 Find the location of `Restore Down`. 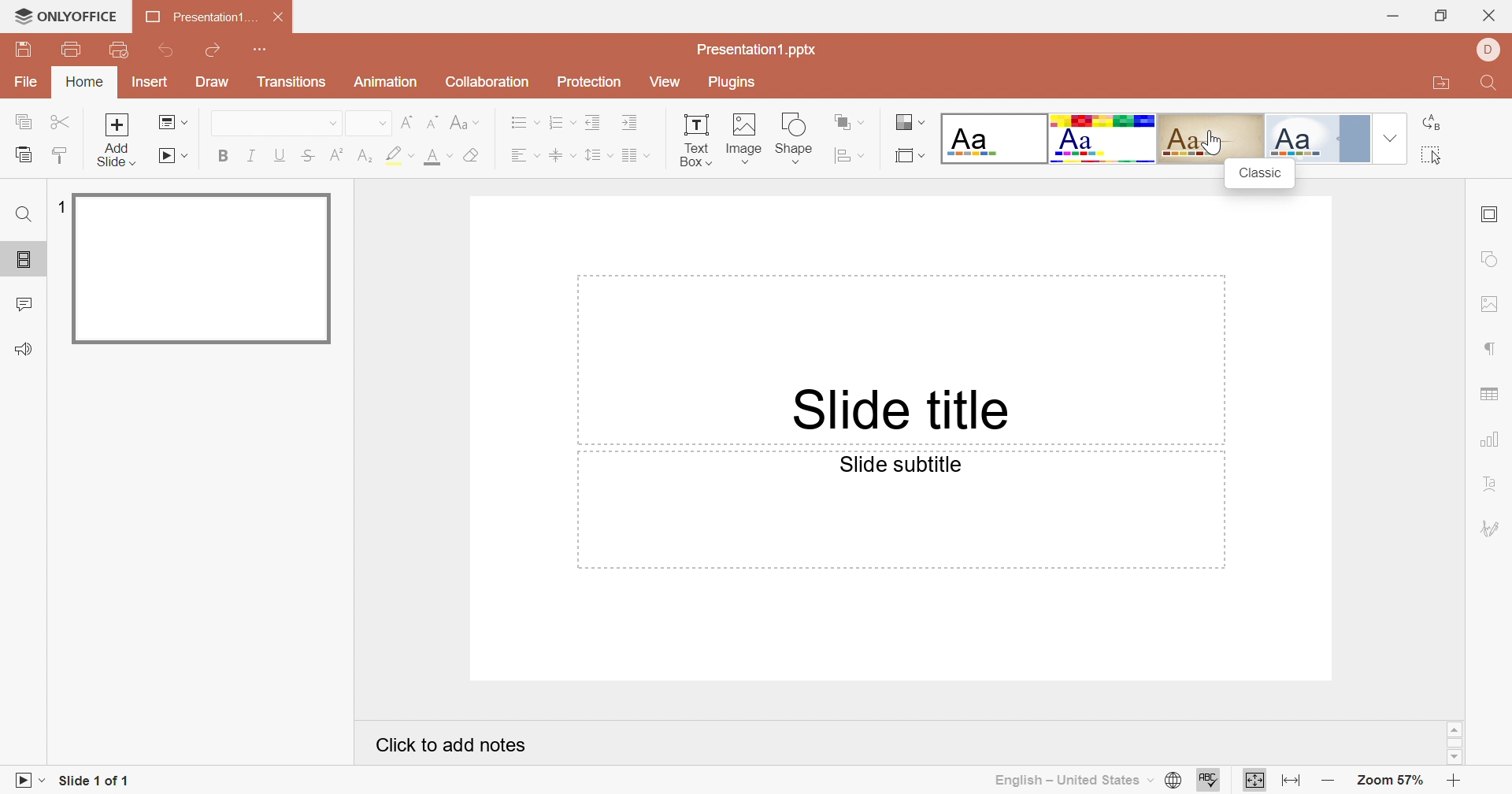

Restore Down is located at coordinates (1441, 15).